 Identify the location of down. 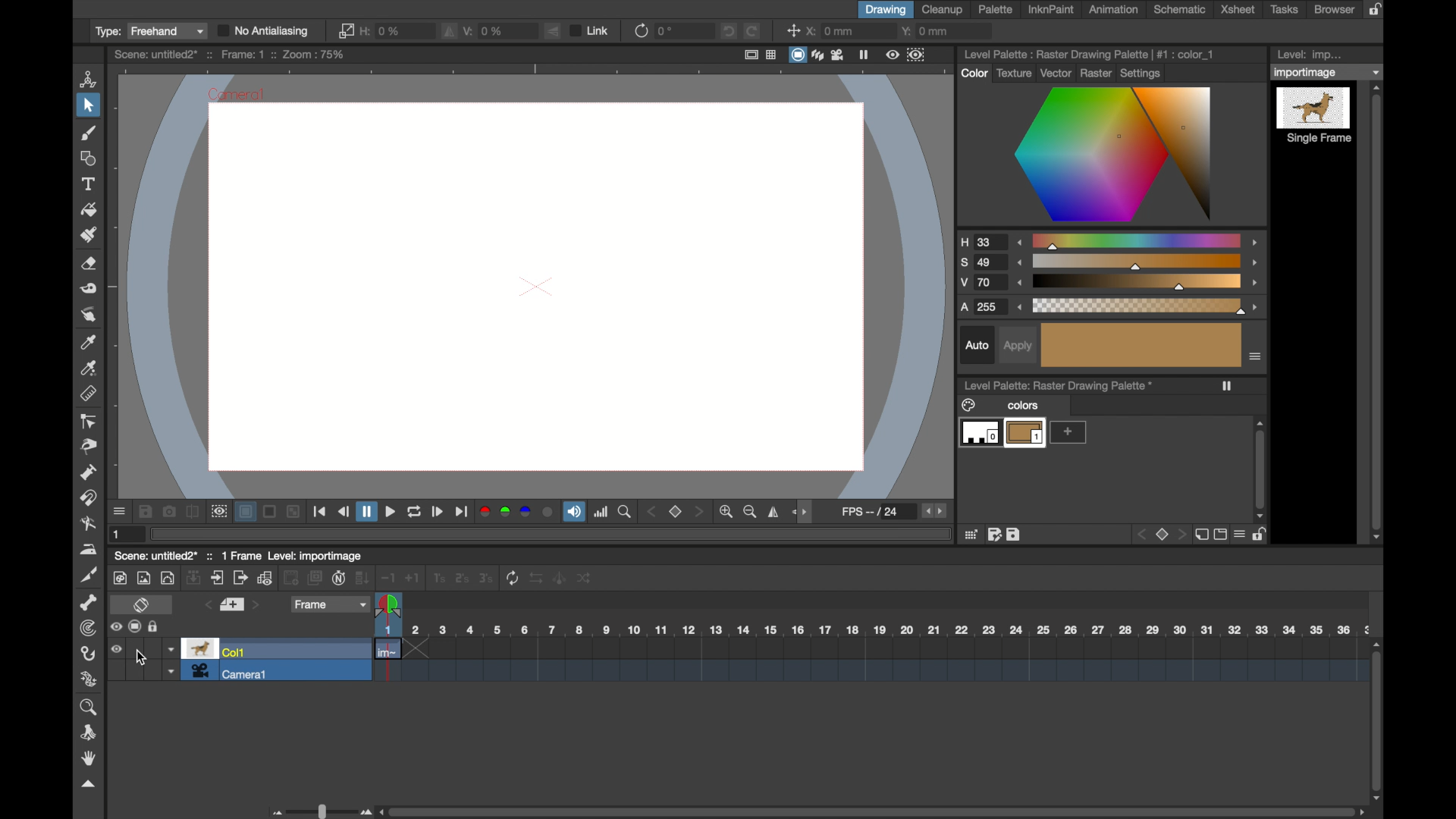
(364, 578).